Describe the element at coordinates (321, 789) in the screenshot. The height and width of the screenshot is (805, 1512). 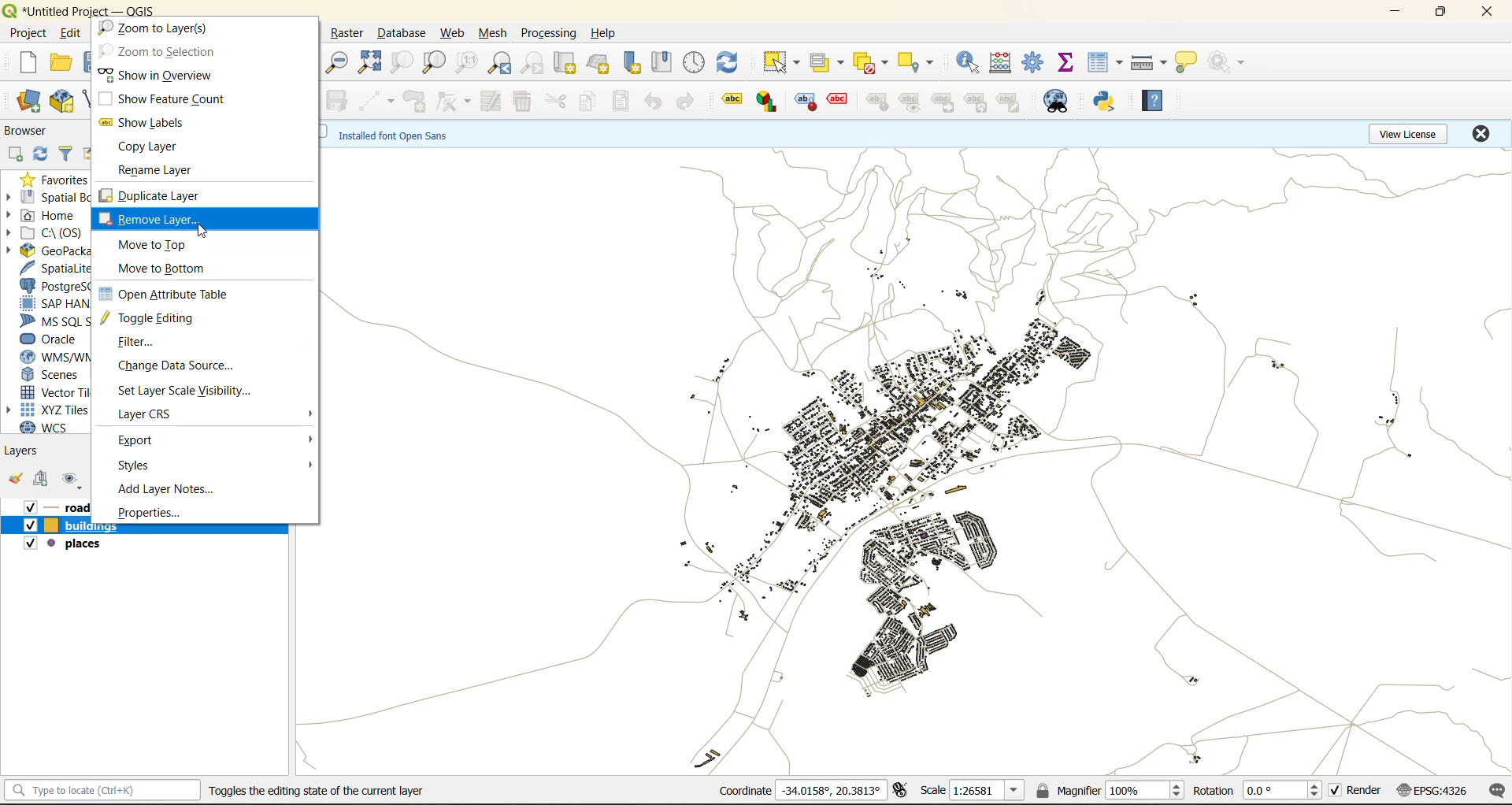
I see `toggles the editing state of the current layer` at that location.